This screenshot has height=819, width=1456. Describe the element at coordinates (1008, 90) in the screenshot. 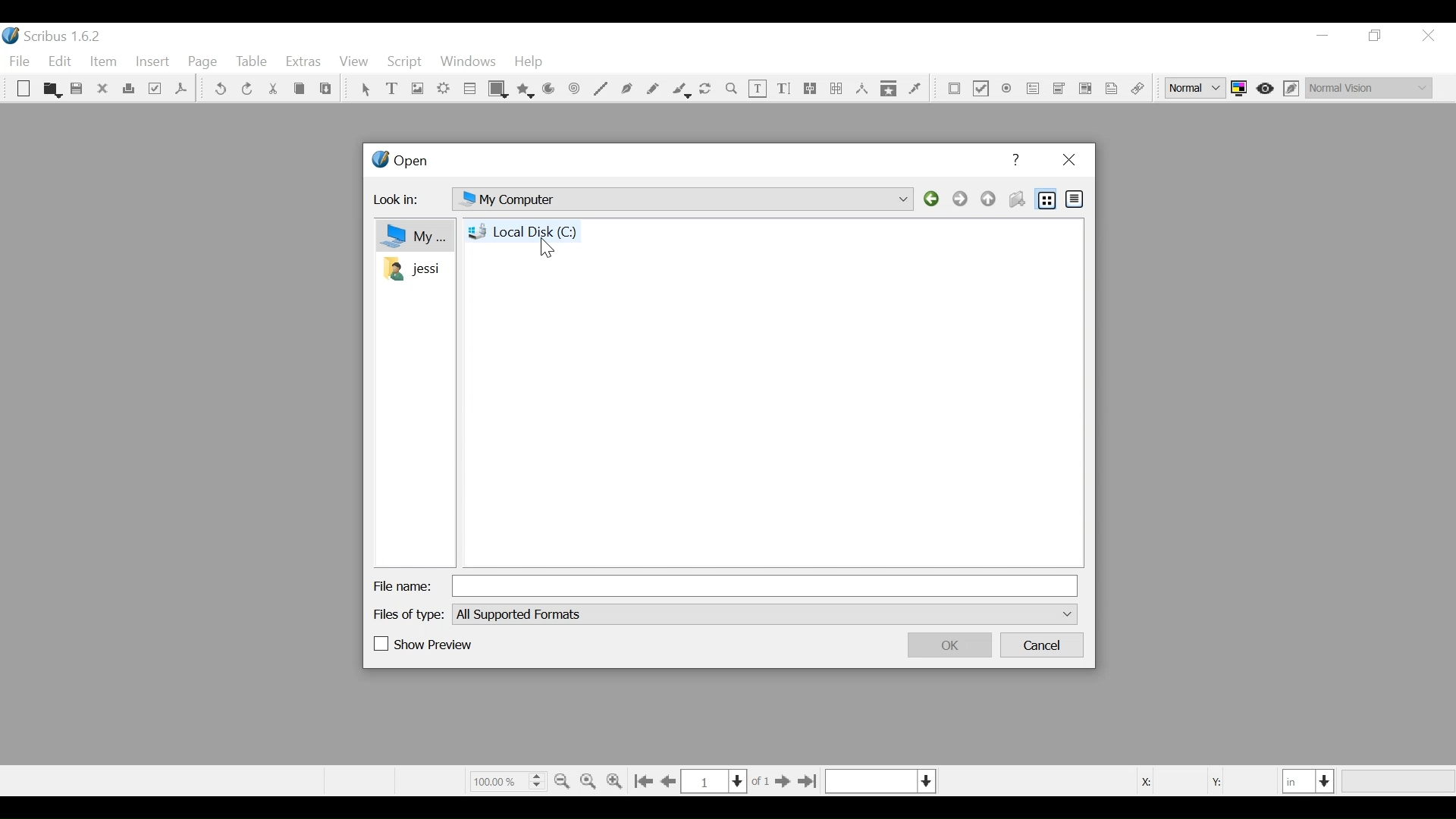

I see `PDF Radio Button` at that location.